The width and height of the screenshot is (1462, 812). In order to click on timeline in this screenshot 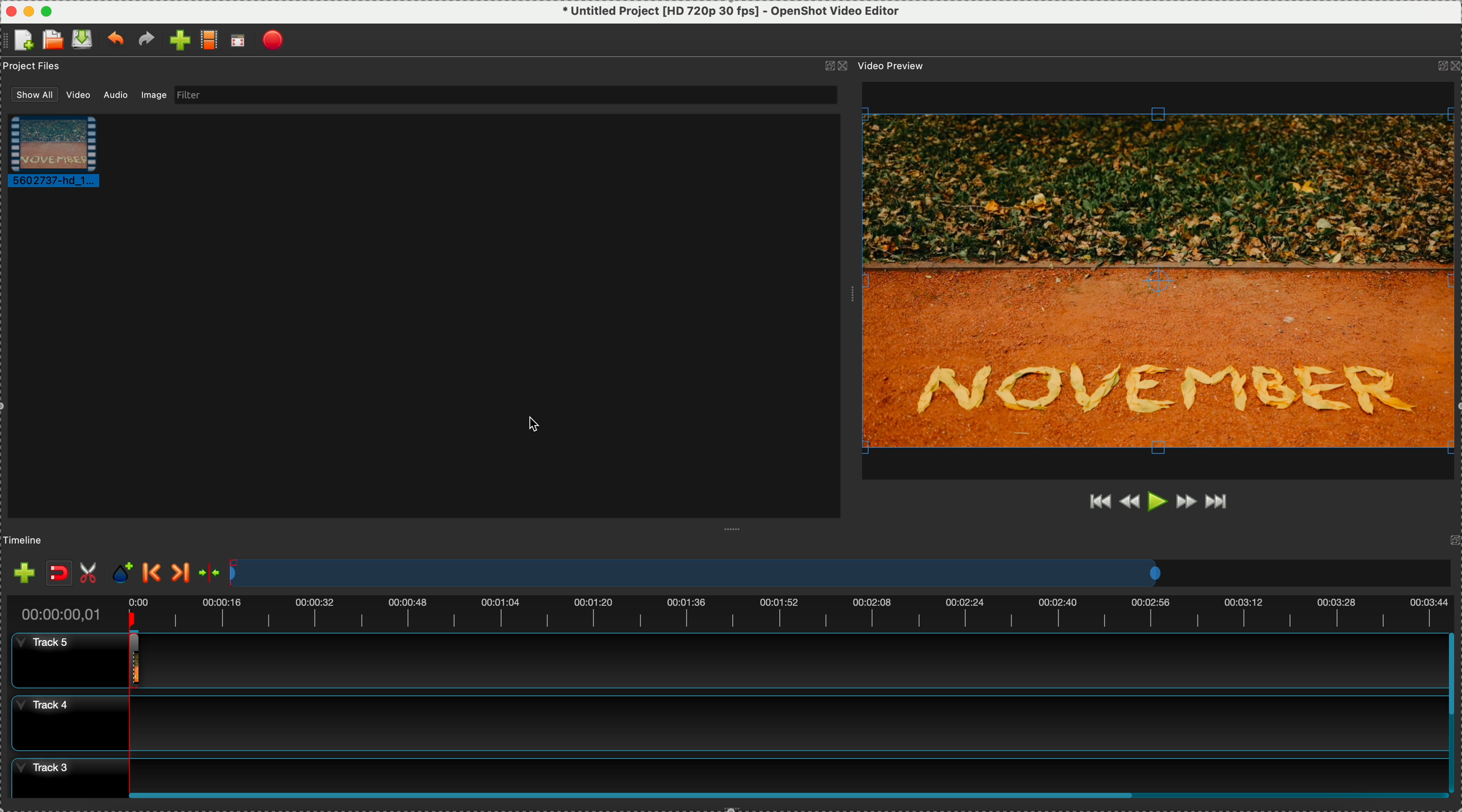, I will do `click(839, 573)`.